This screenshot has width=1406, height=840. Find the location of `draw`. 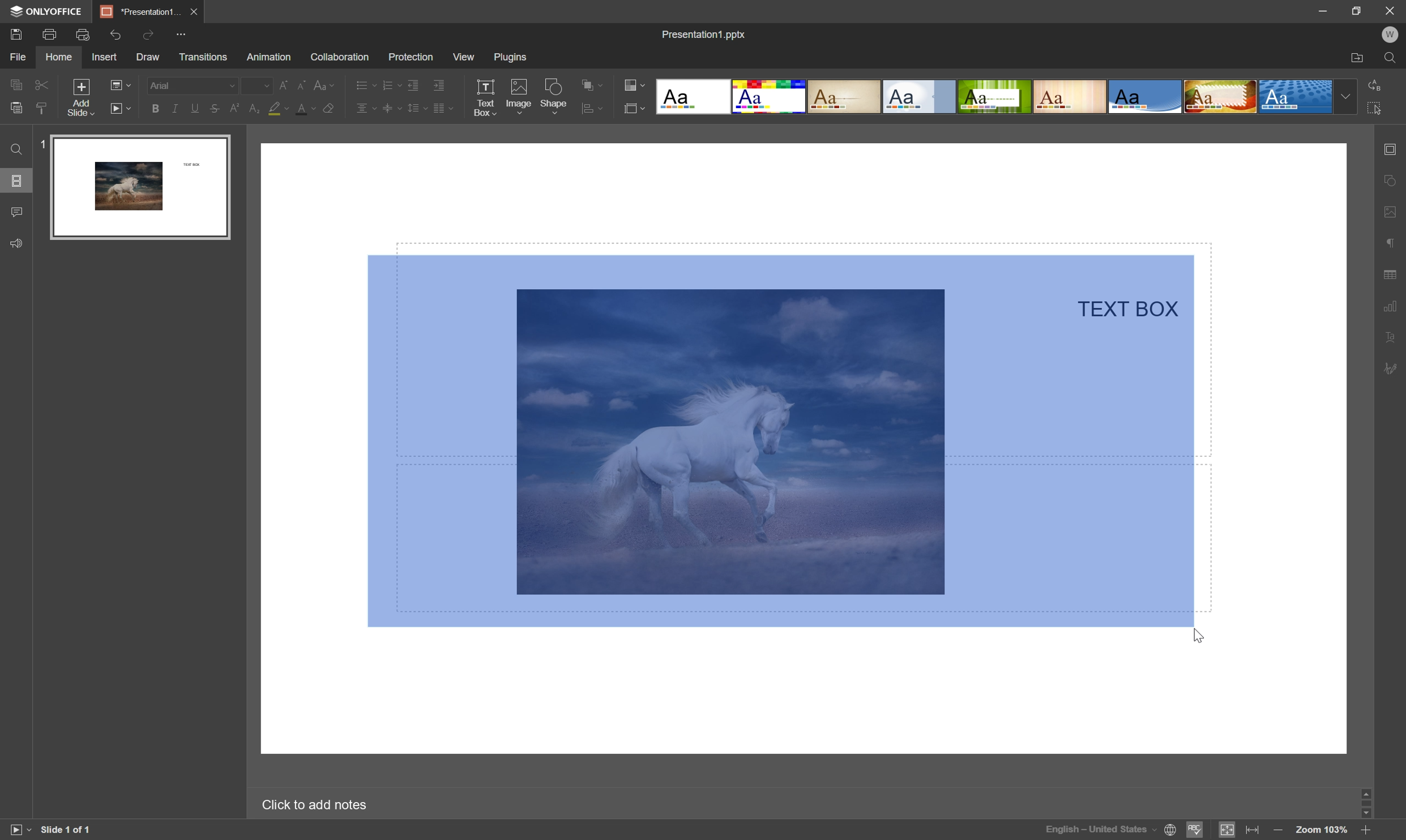

draw is located at coordinates (148, 58).